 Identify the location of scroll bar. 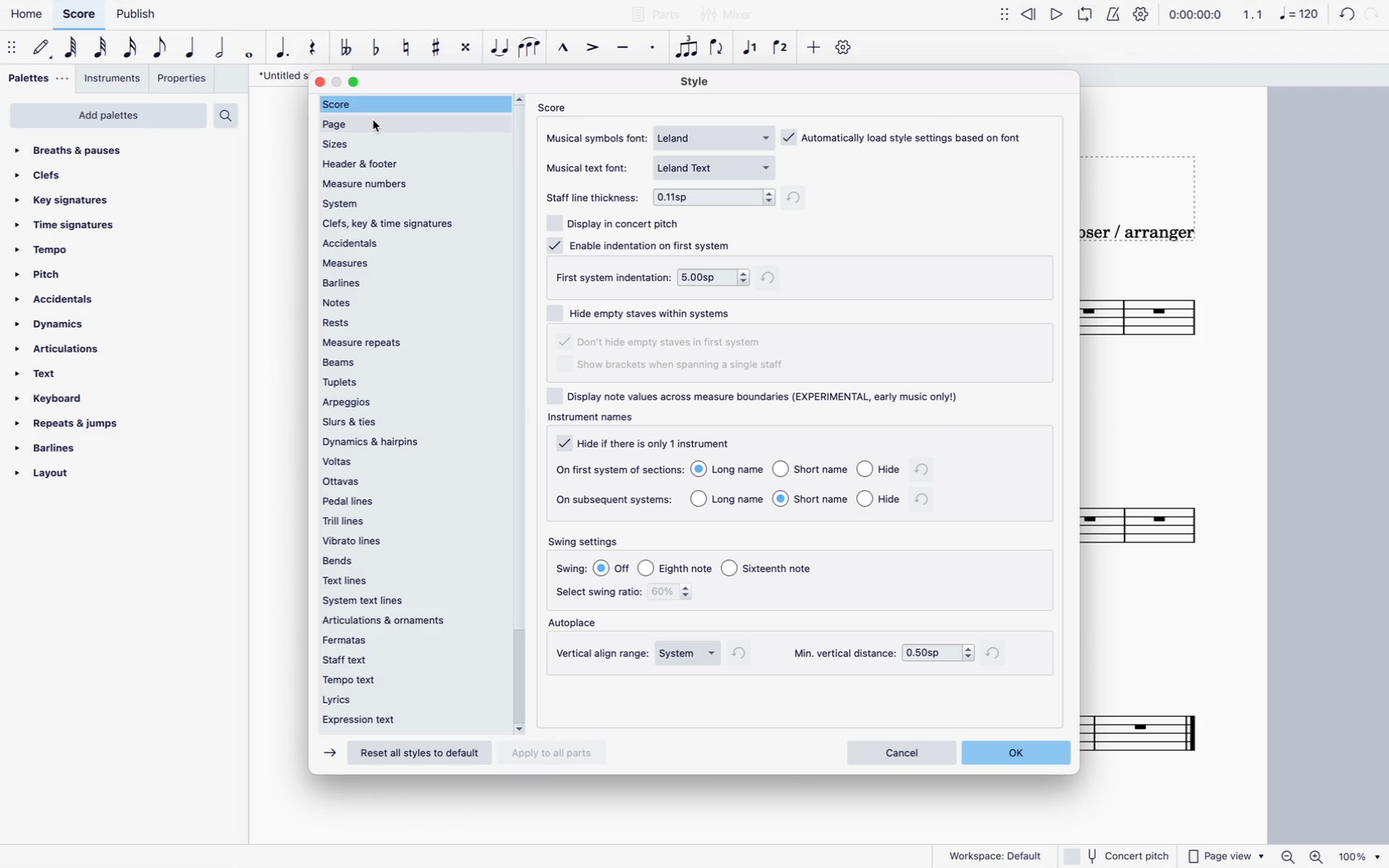
(520, 409).